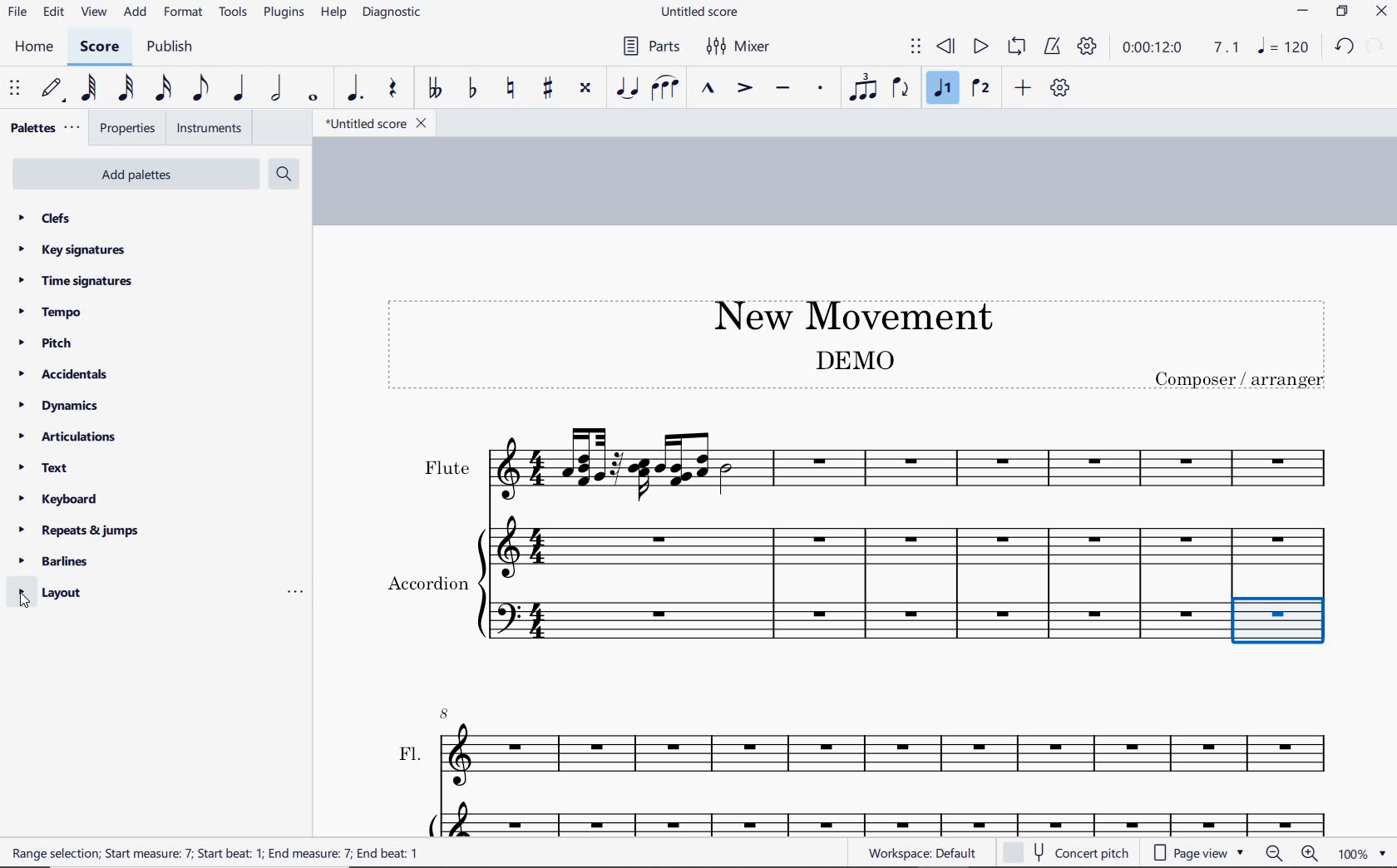 This screenshot has width=1397, height=868. What do you see at coordinates (1276, 853) in the screenshot?
I see `zoom out` at bounding box center [1276, 853].